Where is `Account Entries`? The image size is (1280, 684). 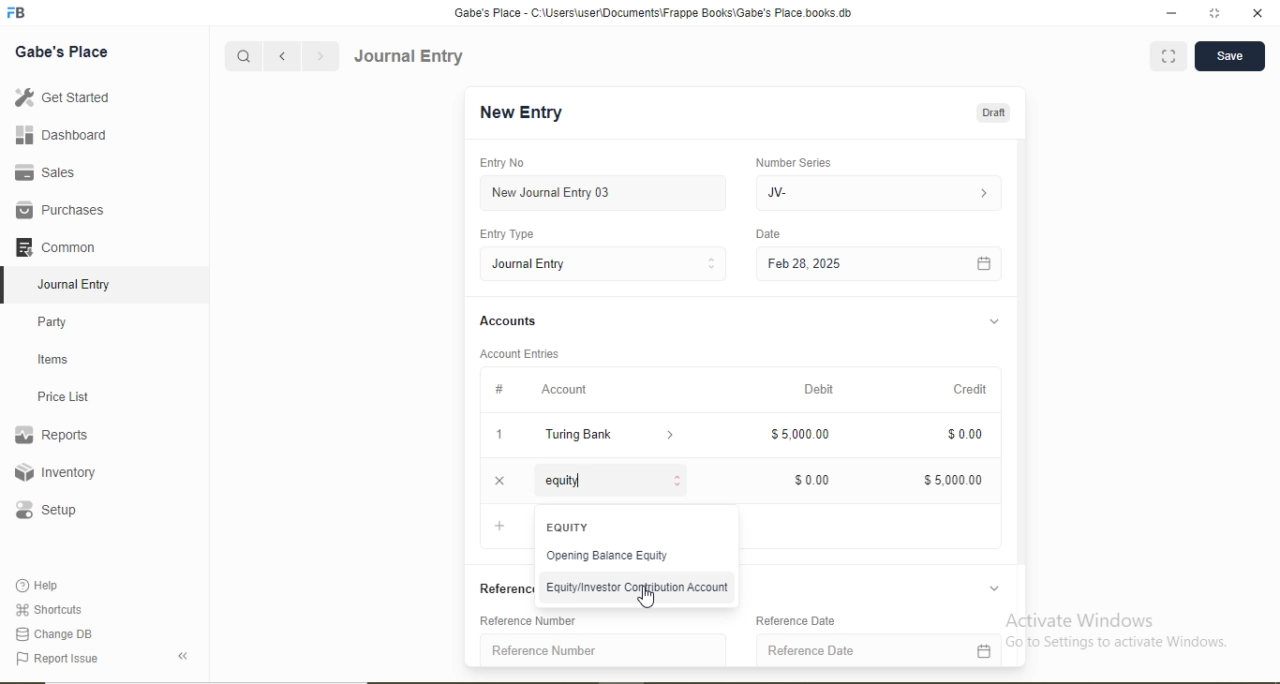
Account Entries is located at coordinates (518, 354).